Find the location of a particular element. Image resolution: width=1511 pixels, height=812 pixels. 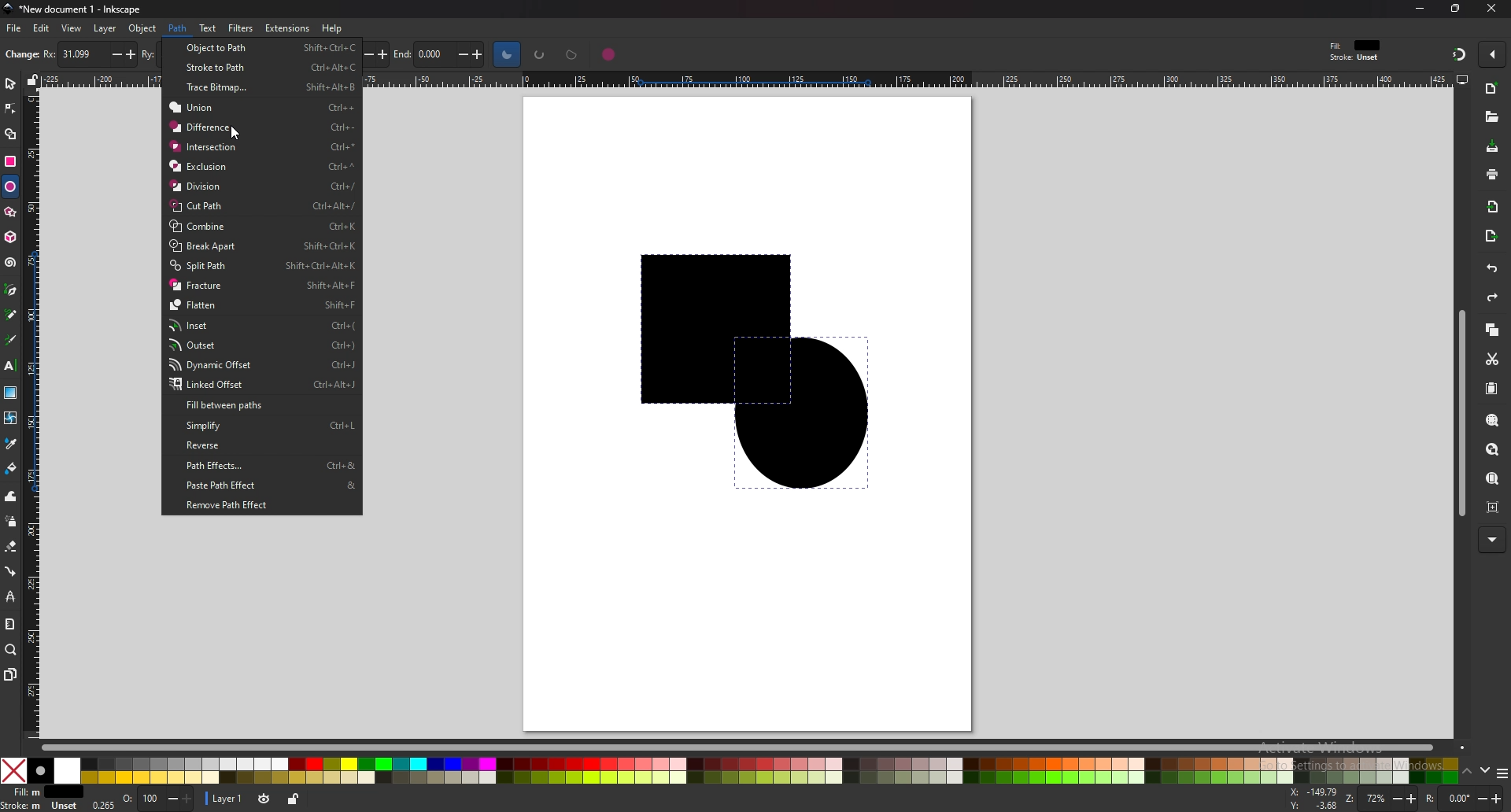

gradient is located at coordinates (10, 393).